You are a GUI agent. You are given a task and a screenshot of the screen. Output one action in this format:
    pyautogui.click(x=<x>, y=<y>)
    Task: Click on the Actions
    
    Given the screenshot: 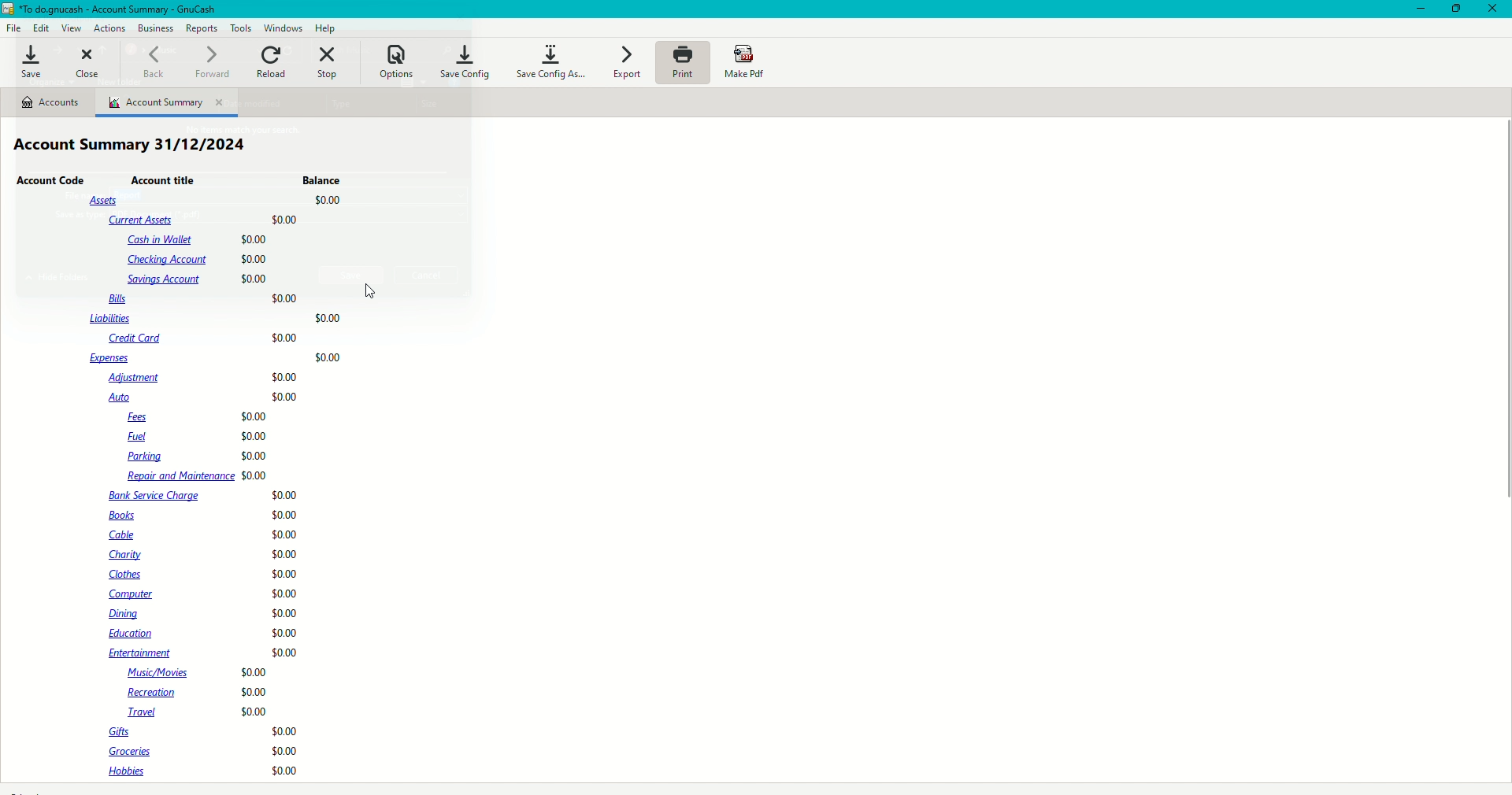 What is the action you would take?
    pyautogui.click(x=111, y=28)
    